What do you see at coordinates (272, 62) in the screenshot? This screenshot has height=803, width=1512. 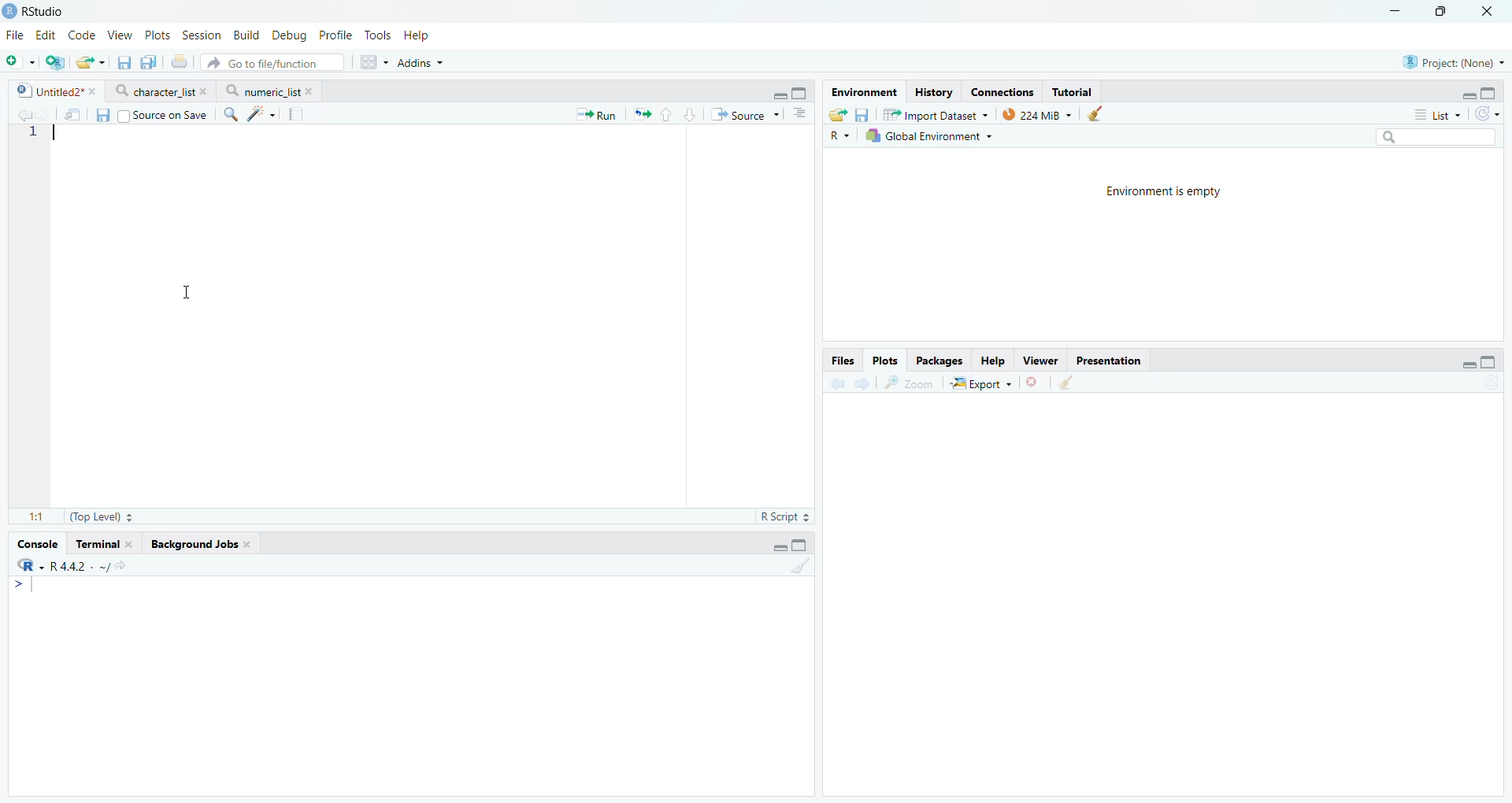 I see `Go to file/function` at bounding box center [272, 62].